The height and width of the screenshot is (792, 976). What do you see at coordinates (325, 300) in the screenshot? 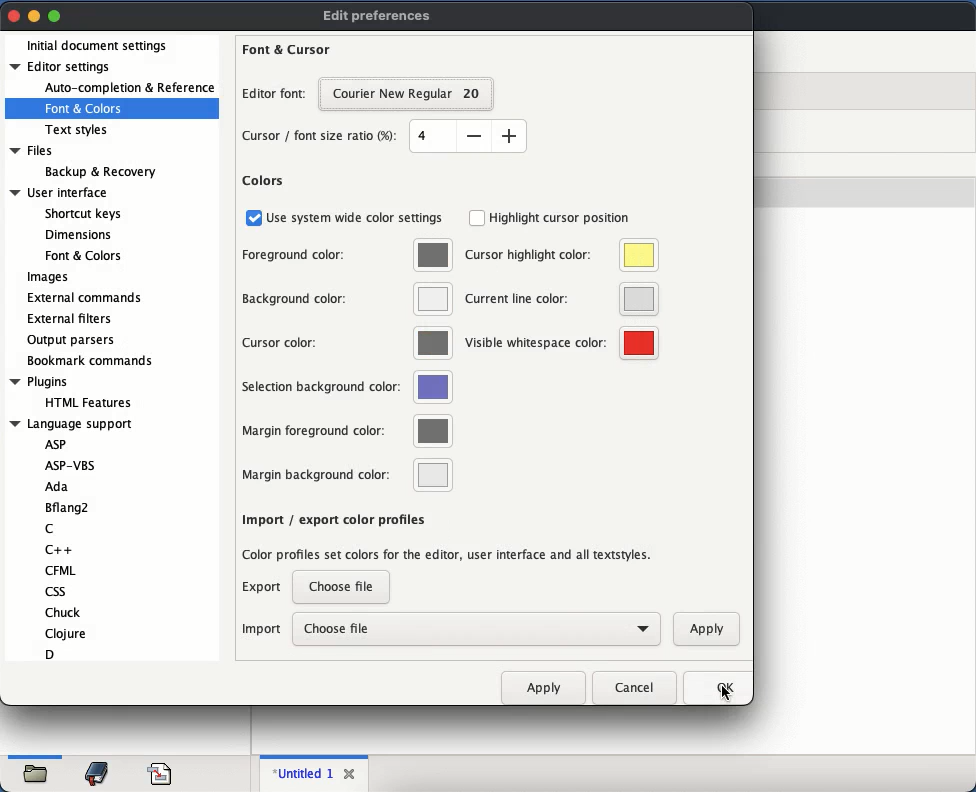
I see `background color` at bounding box center [325, 300].